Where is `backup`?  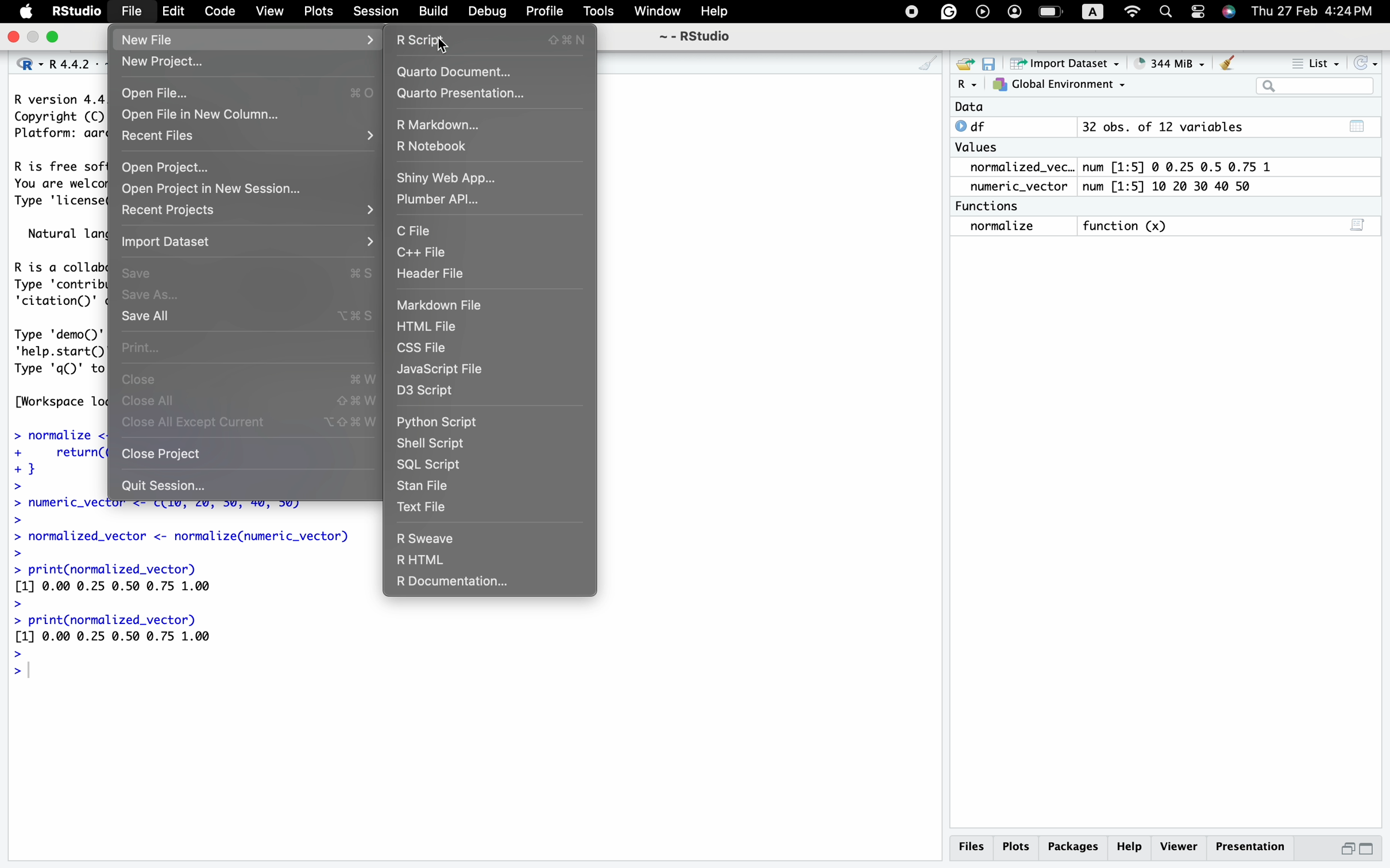 backup is located at coordinates (980, 12).